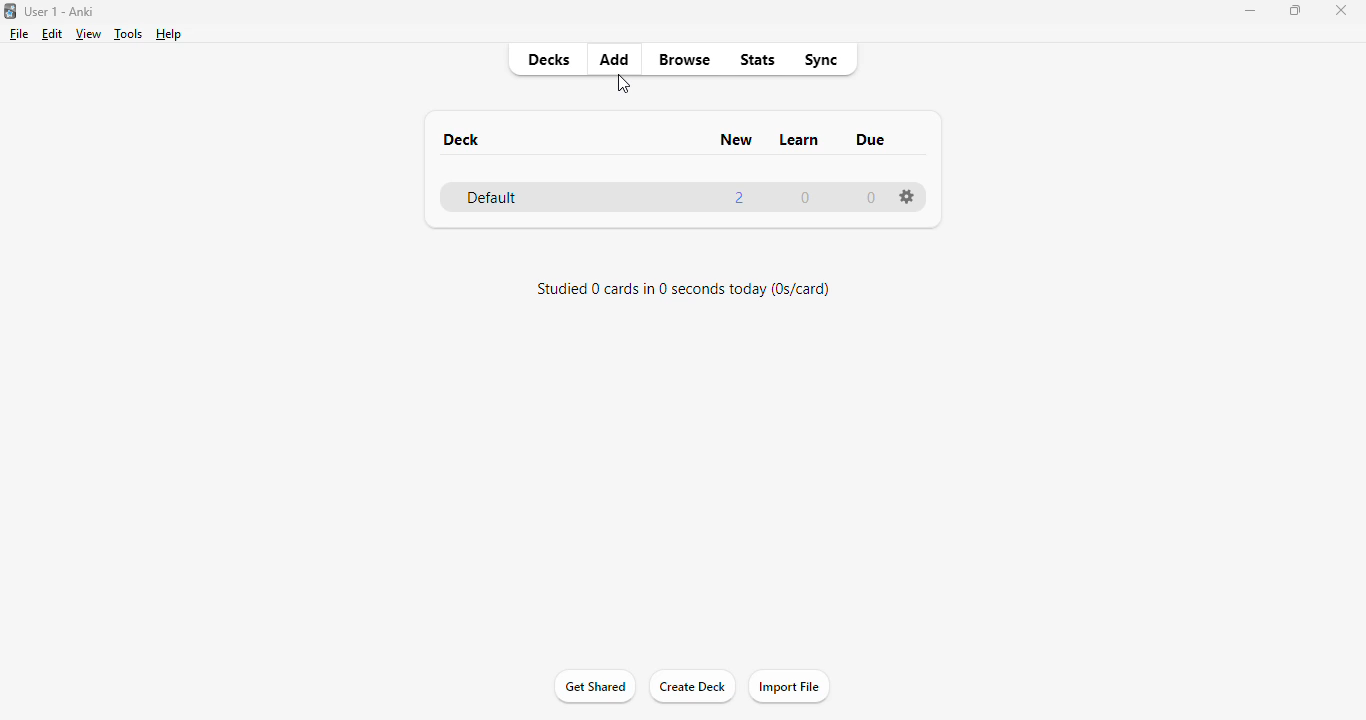 This screenshot has width=1366, height=720. What do you see at coordinates (1341, 10) in the screenshot?
I see `close` at bounding box center [1341, 10].